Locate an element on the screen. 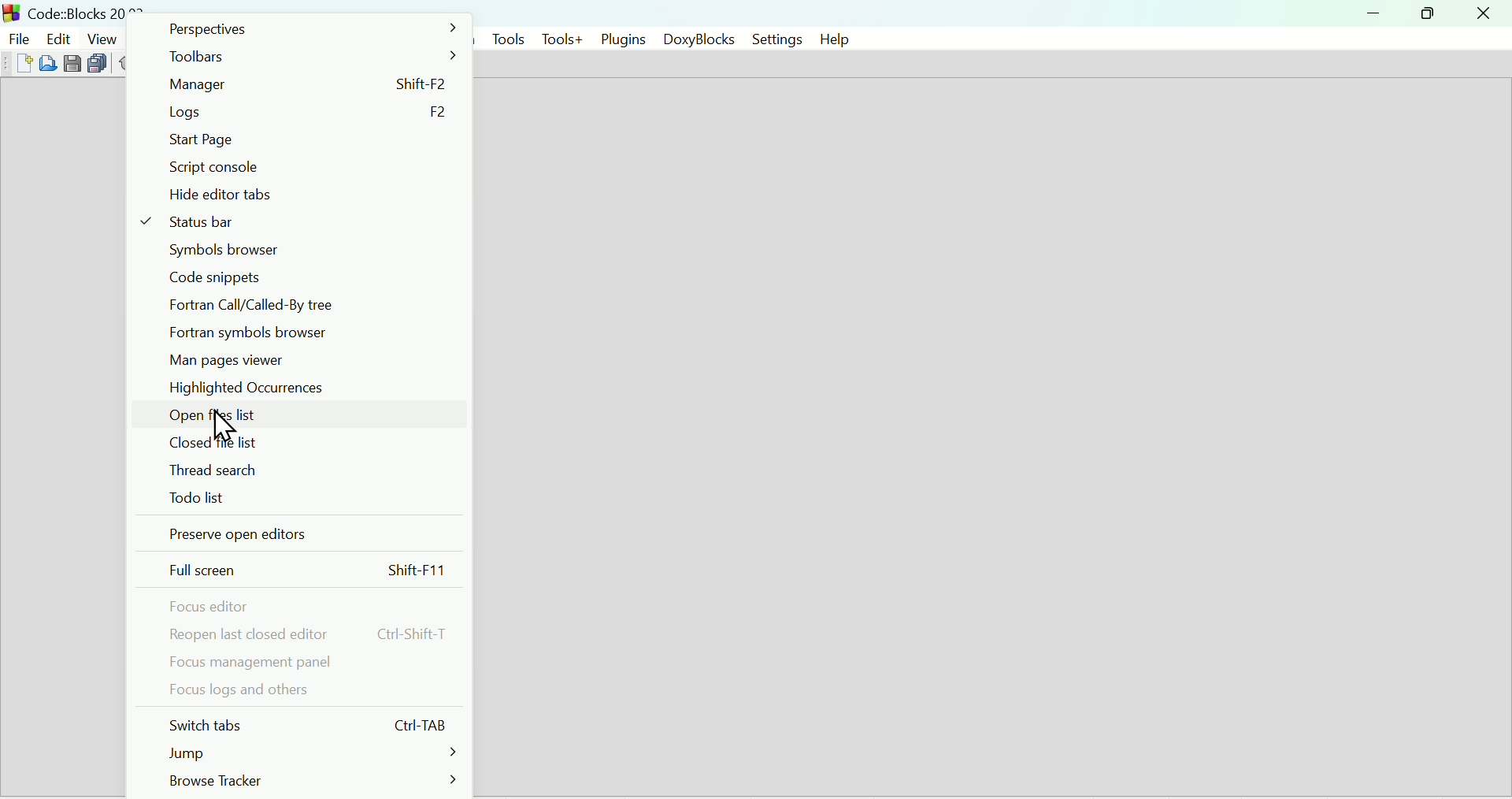 This screenshot has height=799, width=1512. Highlighted occurrences is located at coordinates (306, 389).